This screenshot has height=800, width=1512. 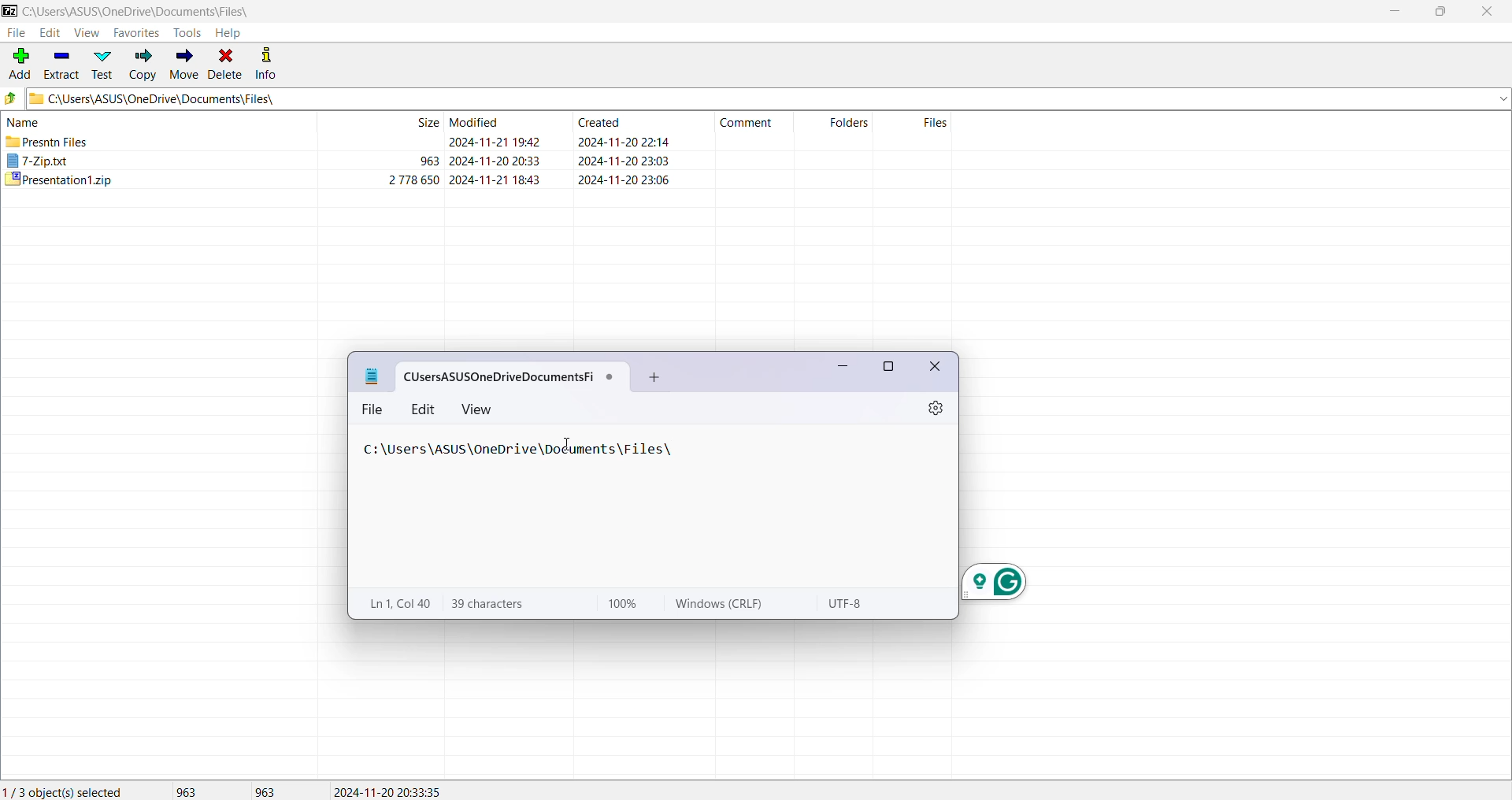 What do you see at coordinates (523, 449) in the screenshot?
I see `Copied File Path` at bounding box center [523, 449].